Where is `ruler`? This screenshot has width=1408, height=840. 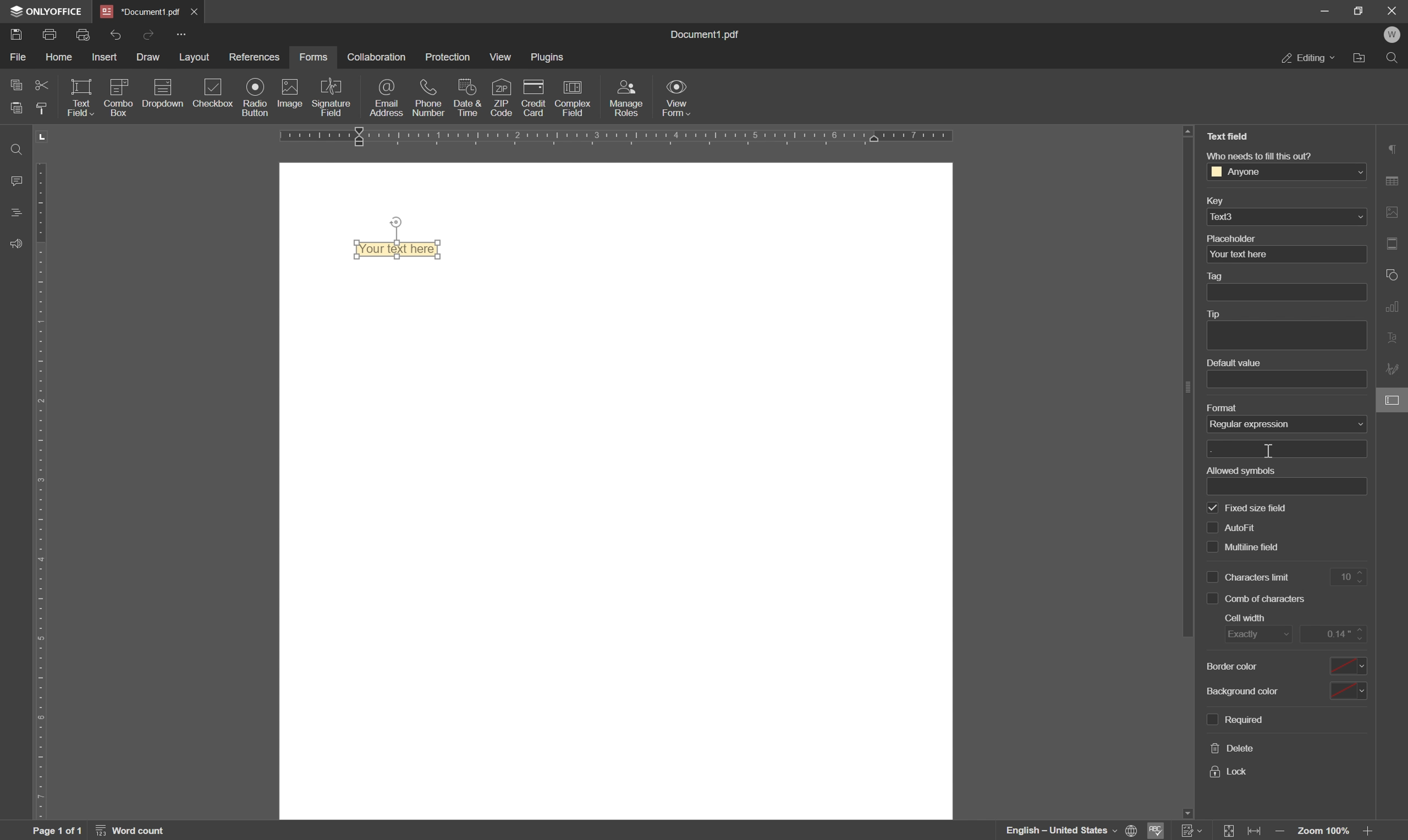
ruler is located at coordinates (45, 474).